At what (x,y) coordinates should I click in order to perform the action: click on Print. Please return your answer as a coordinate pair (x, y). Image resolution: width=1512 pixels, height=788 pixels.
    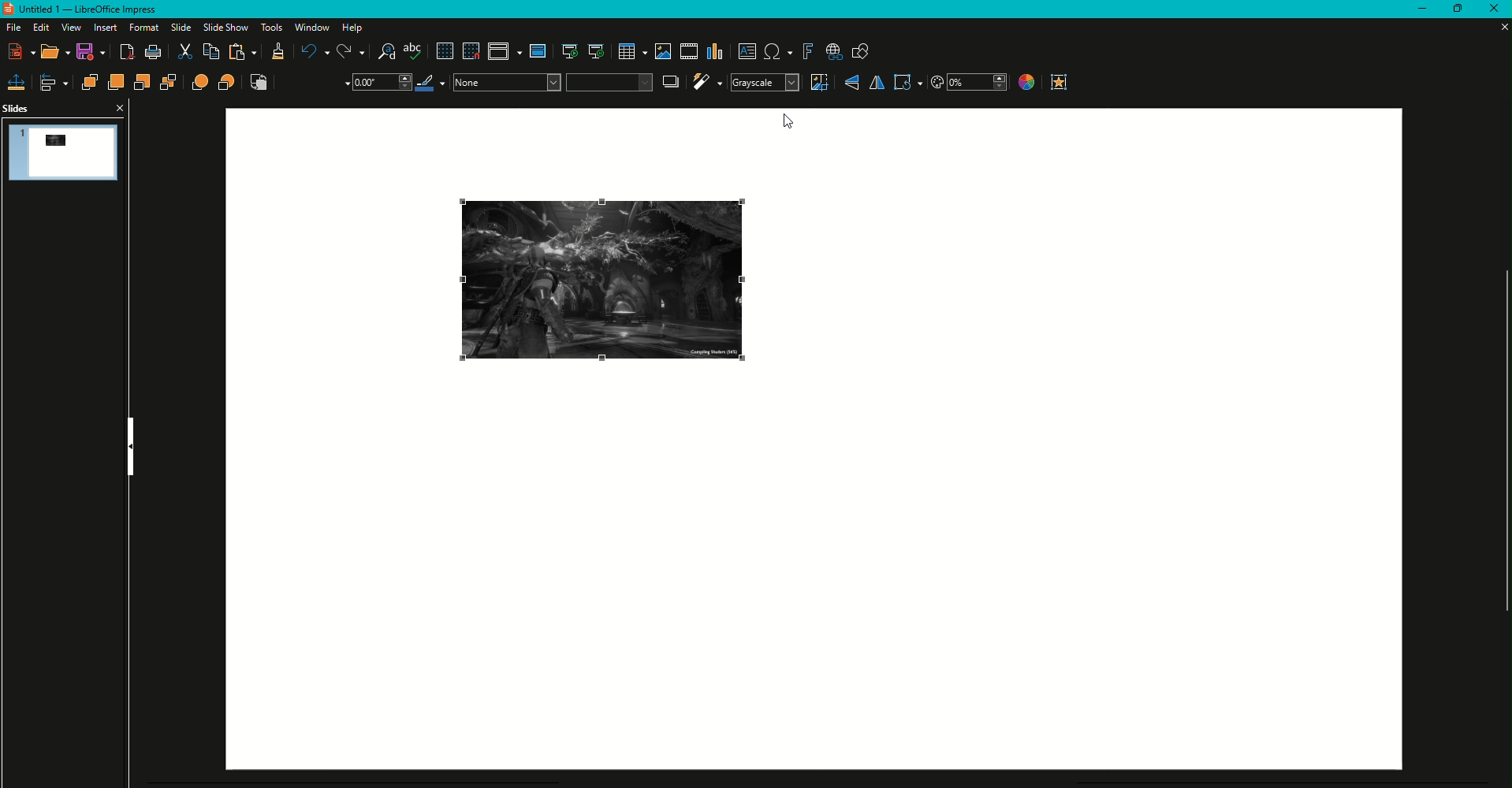
    Looking at the image, I should click on (153, 53).